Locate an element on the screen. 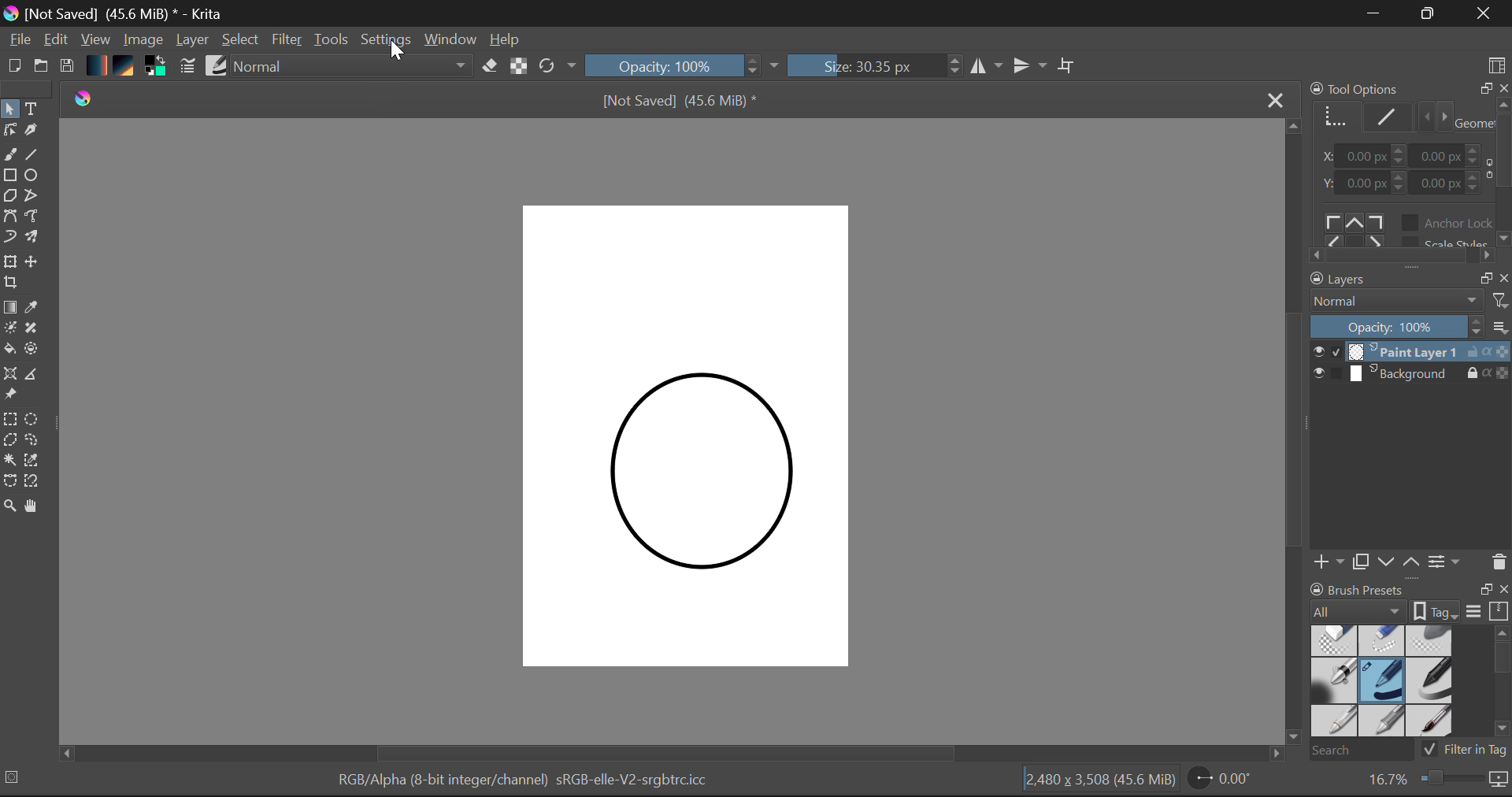  Tools is located at coordinates (332, 41).